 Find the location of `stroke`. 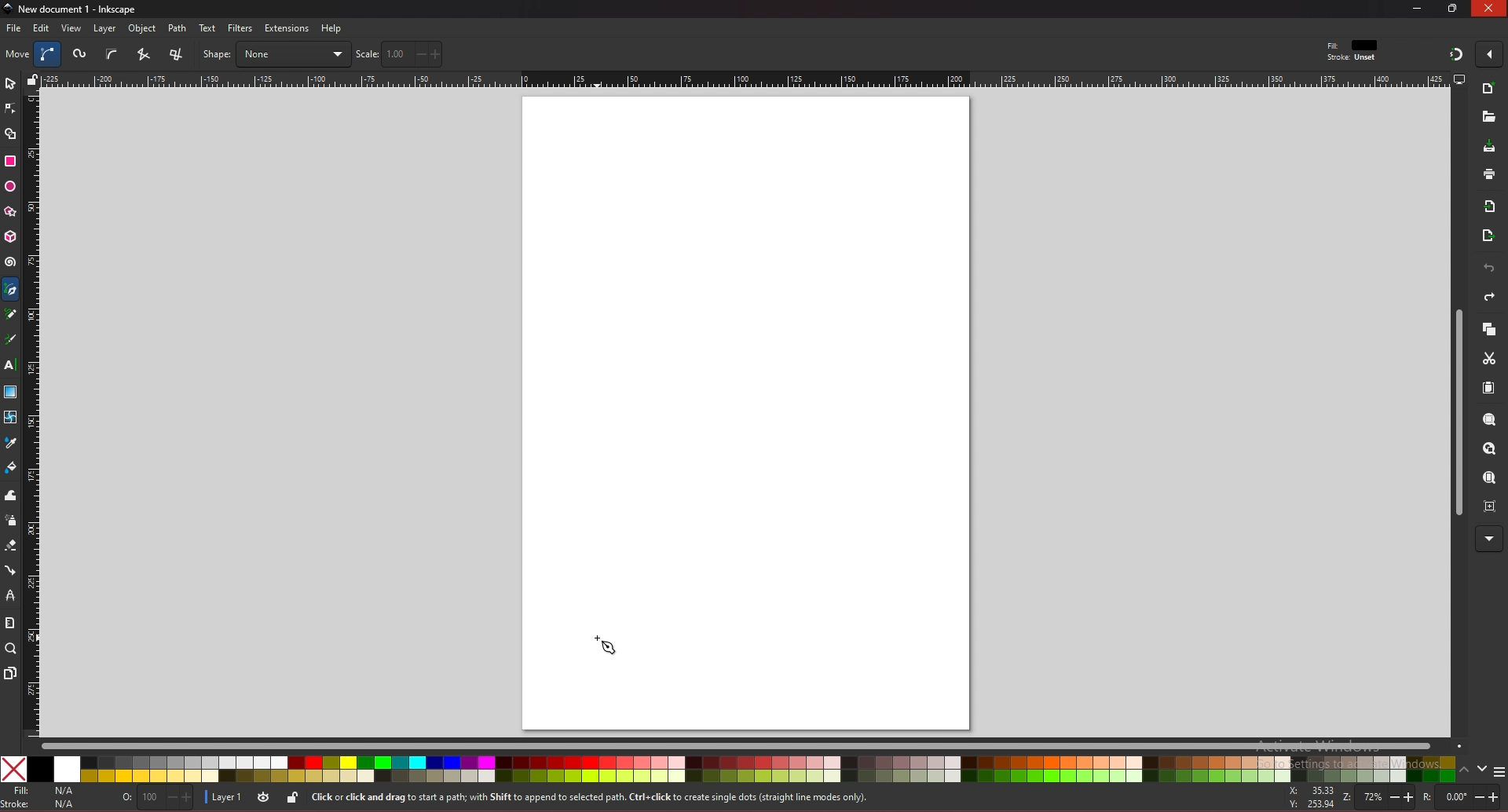

stroke is located at coordinates (1352, 58).